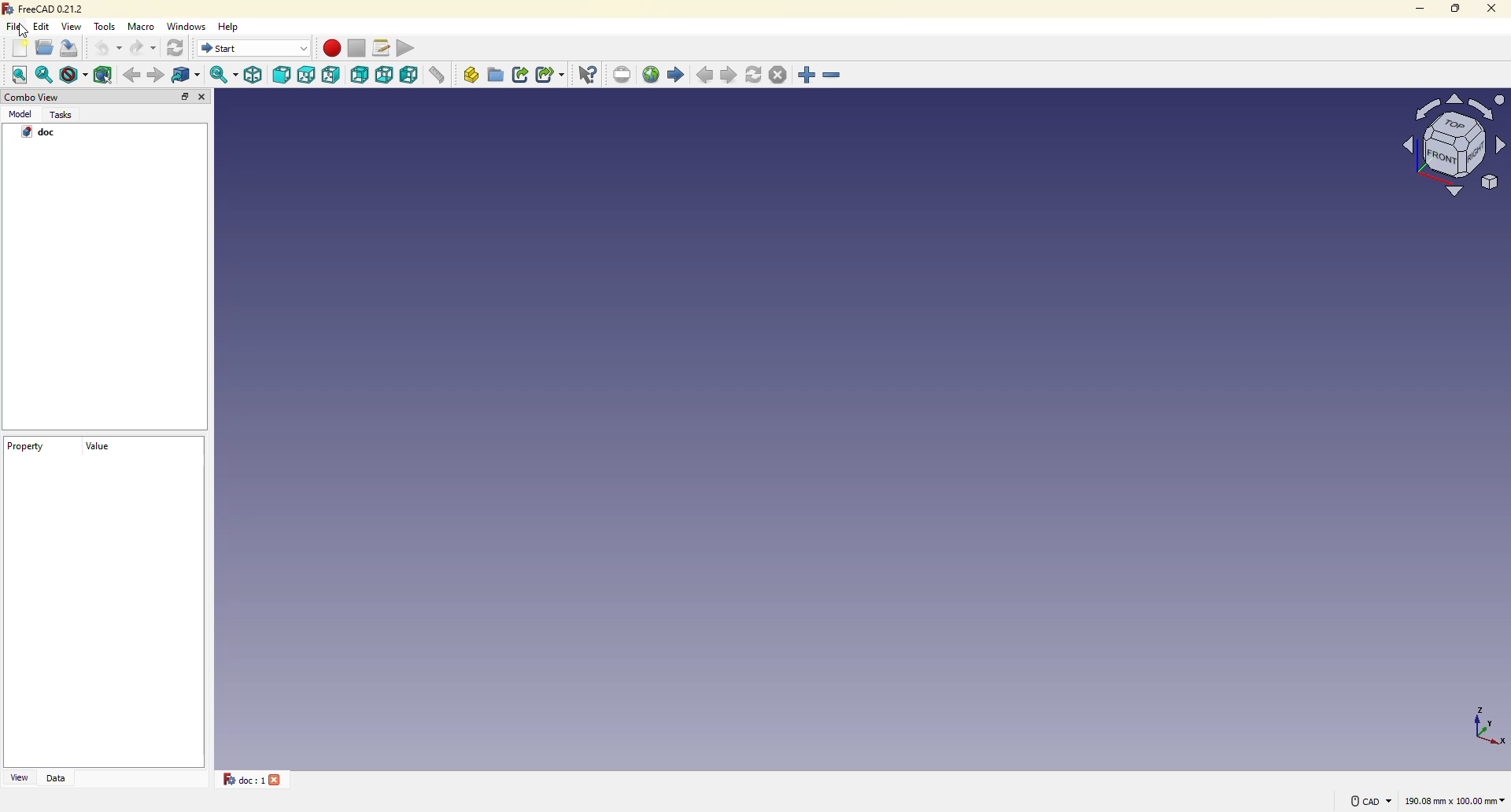 The height and width of the screenshot is (812, 1511). What do you see at coordinates (411, 46) in the screenshot?
I see `execute macros` at bounding box center [411, 46].